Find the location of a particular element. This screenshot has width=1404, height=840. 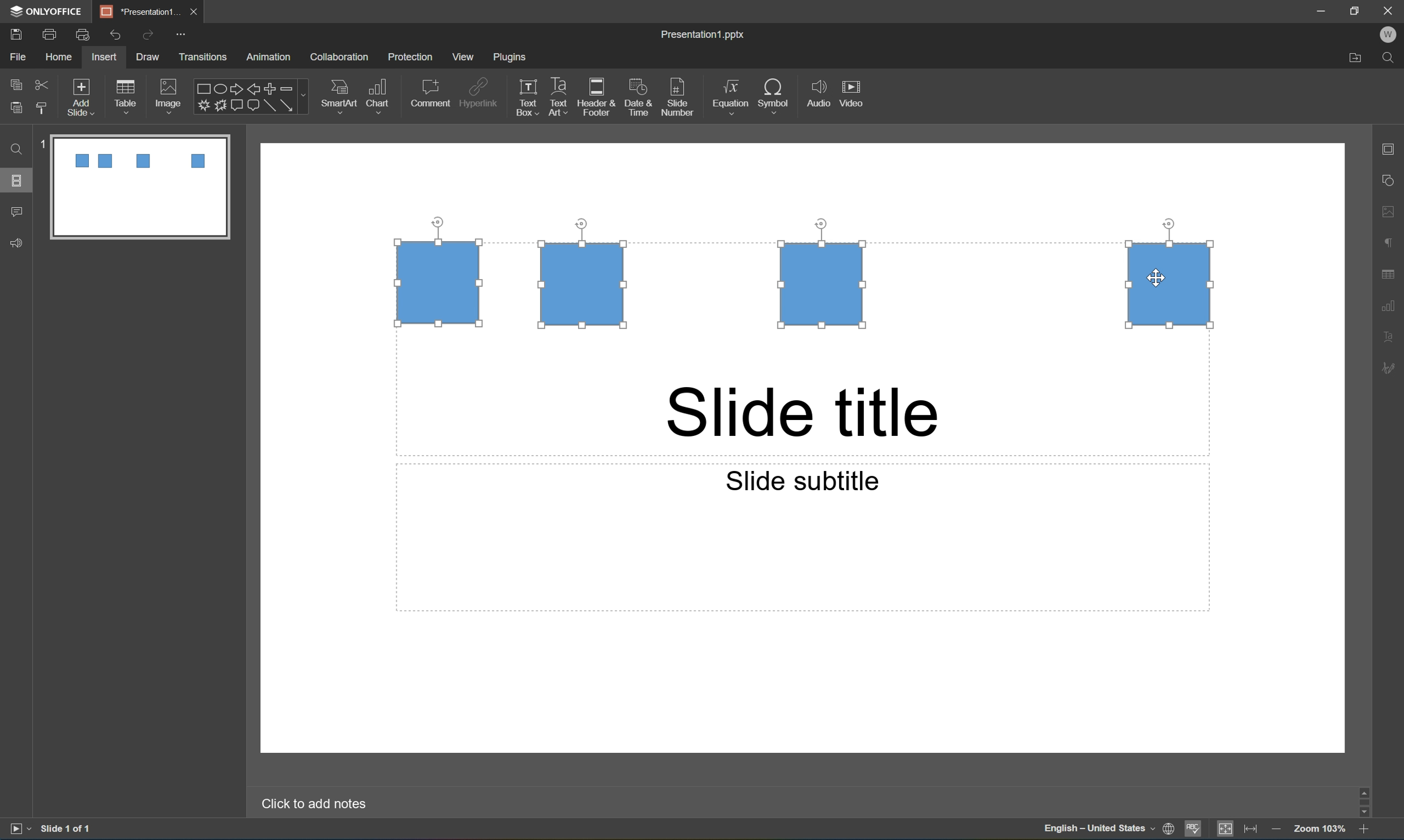

W is located at coordinates (1392, 35).